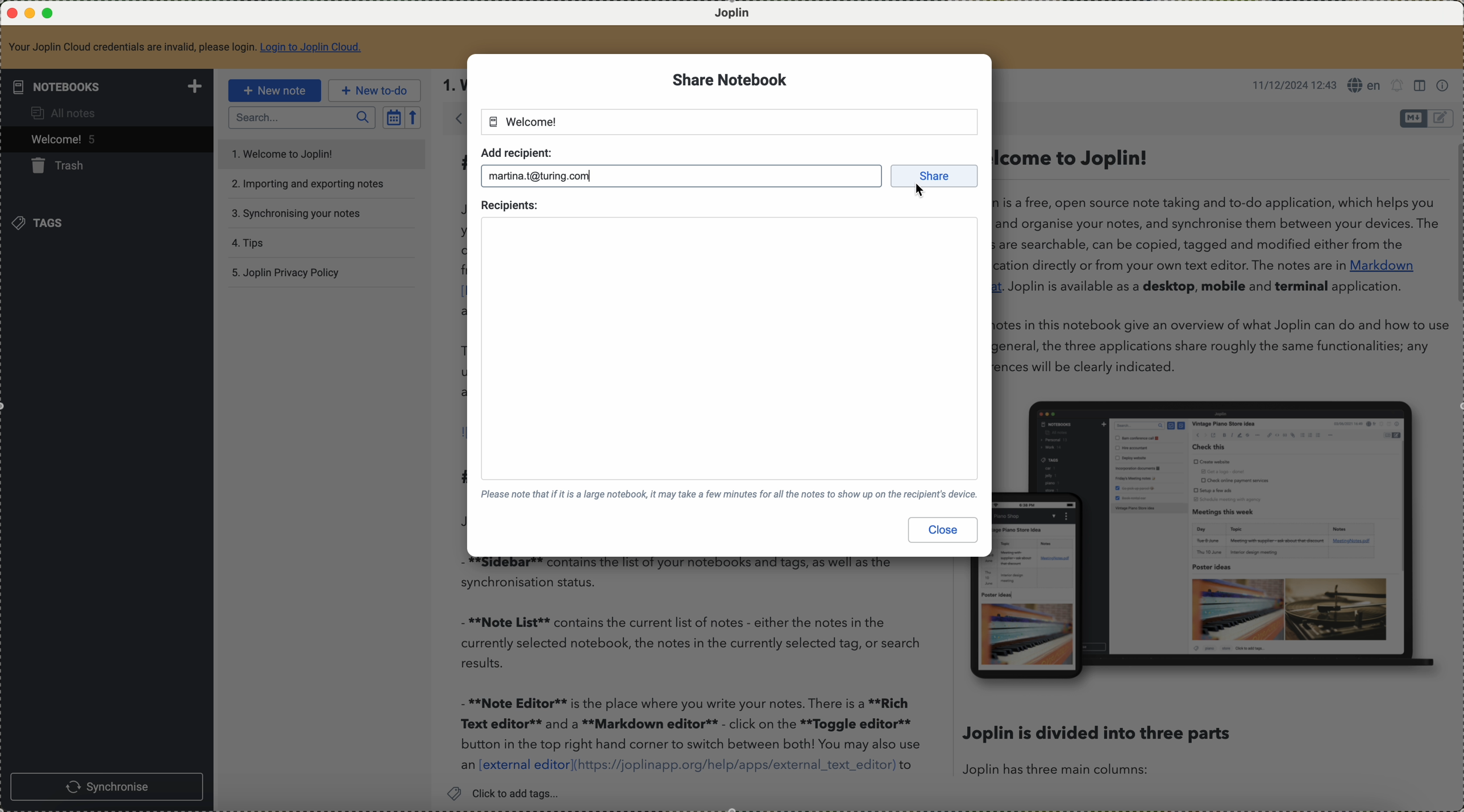  I want to click on all notes, so click(62, 115).